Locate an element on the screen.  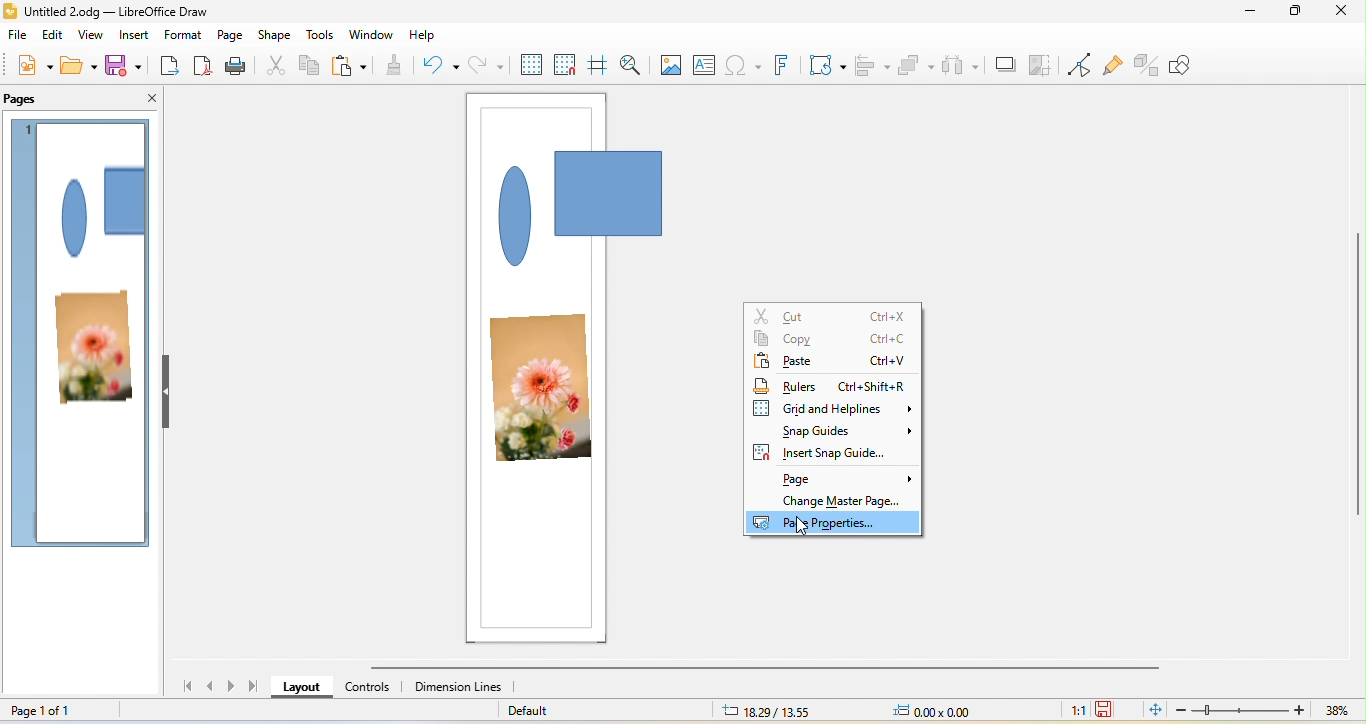
horizontal scroll bar is located at coordinates (764, 669).